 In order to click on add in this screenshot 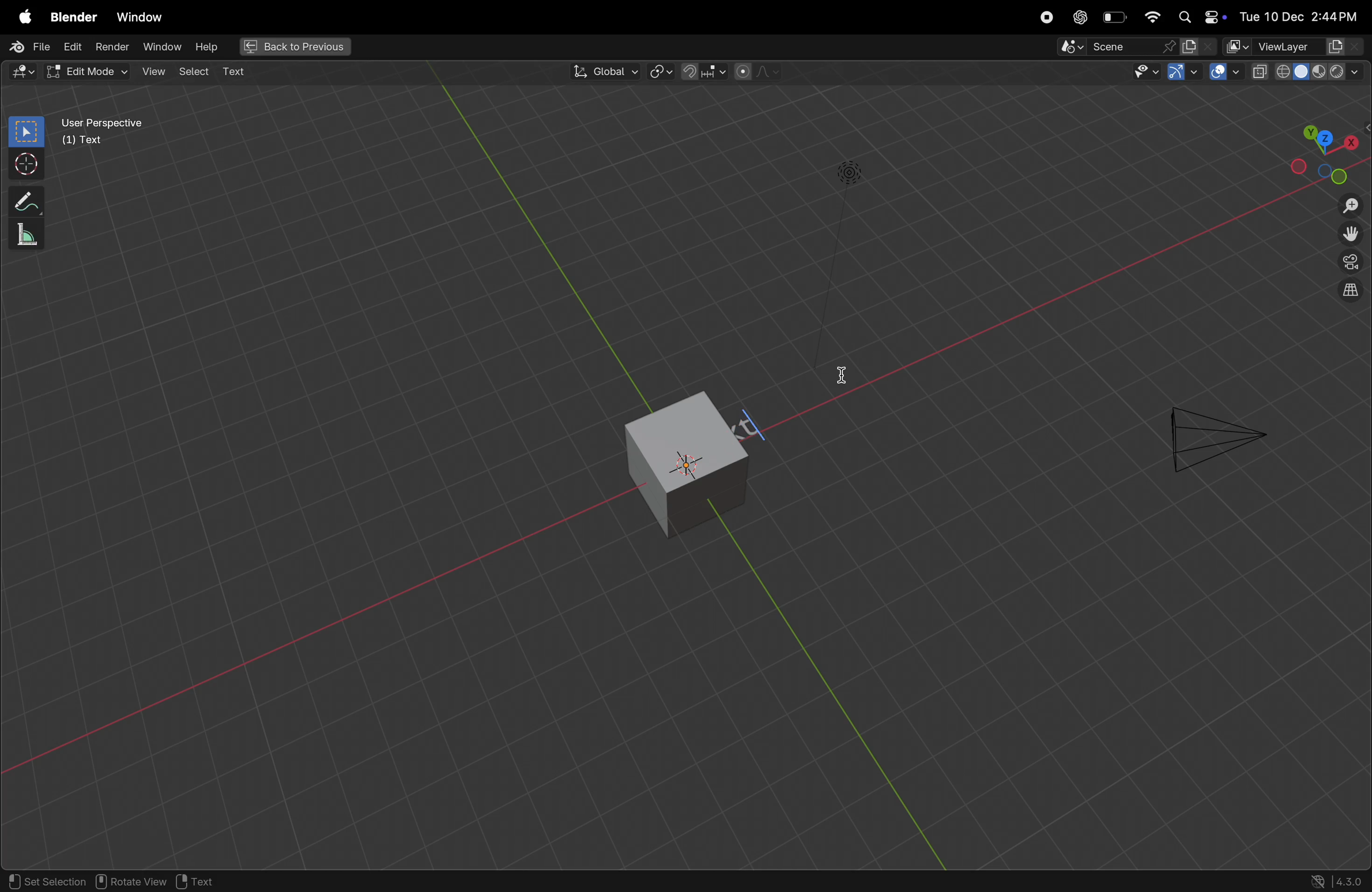, I will do `click(238, 71)`.